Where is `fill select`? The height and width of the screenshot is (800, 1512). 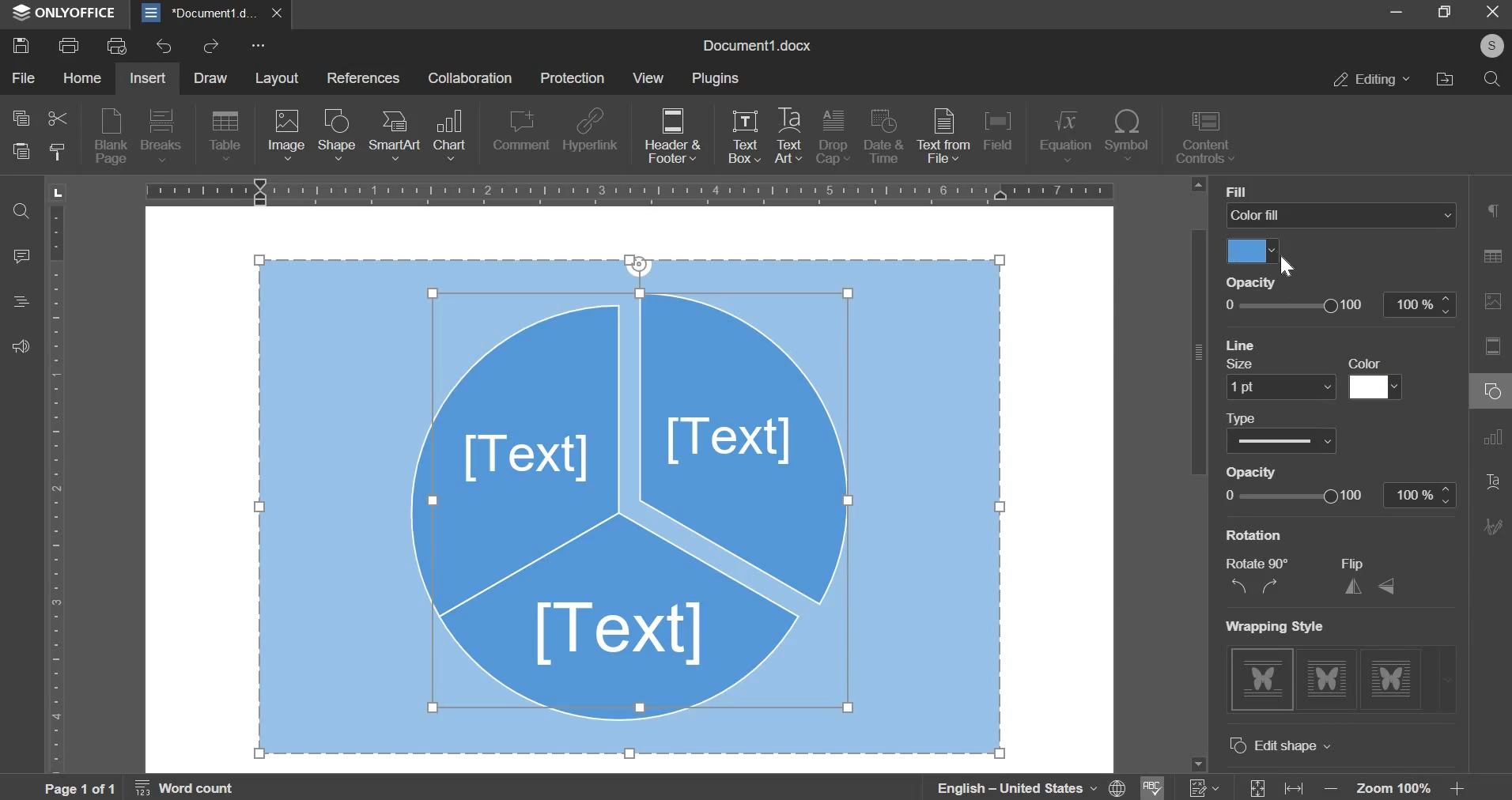 fill select is located at coordinates (1344, 216).